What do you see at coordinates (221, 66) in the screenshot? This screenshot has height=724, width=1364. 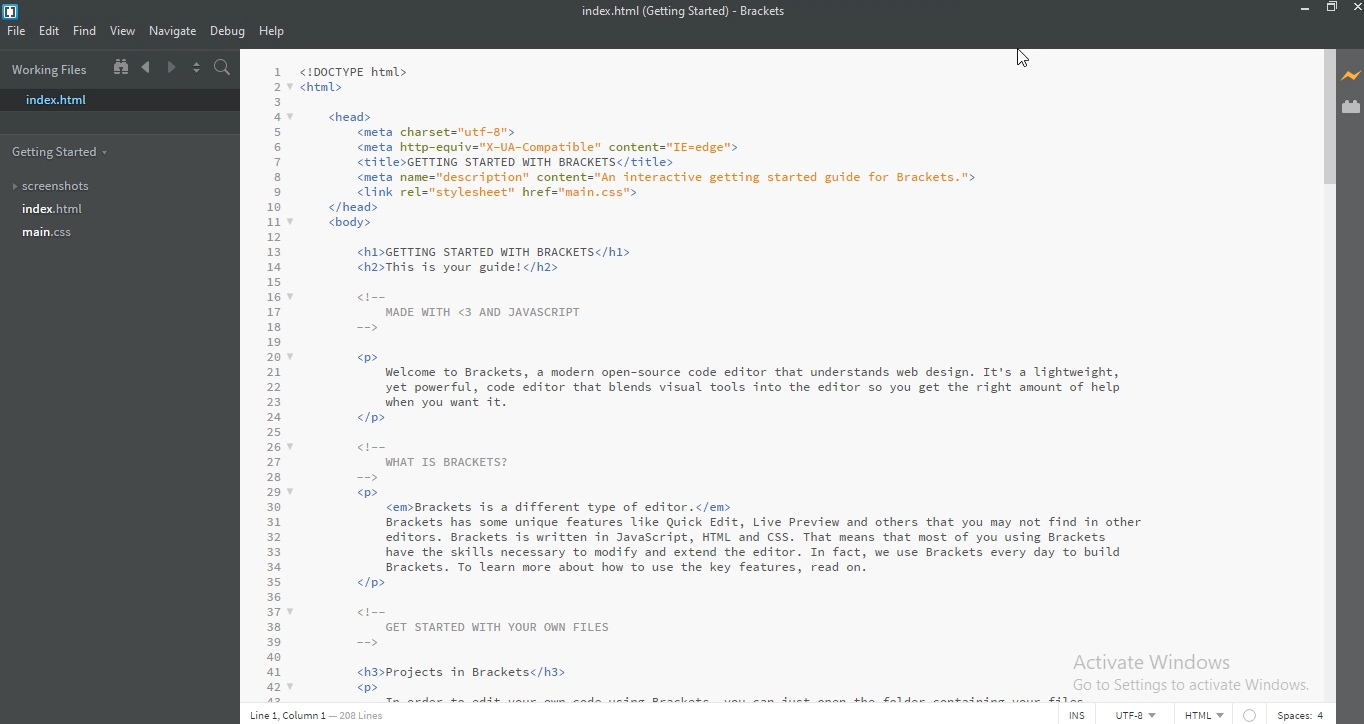 I see `Find in files` at bounding box center [221, 66].